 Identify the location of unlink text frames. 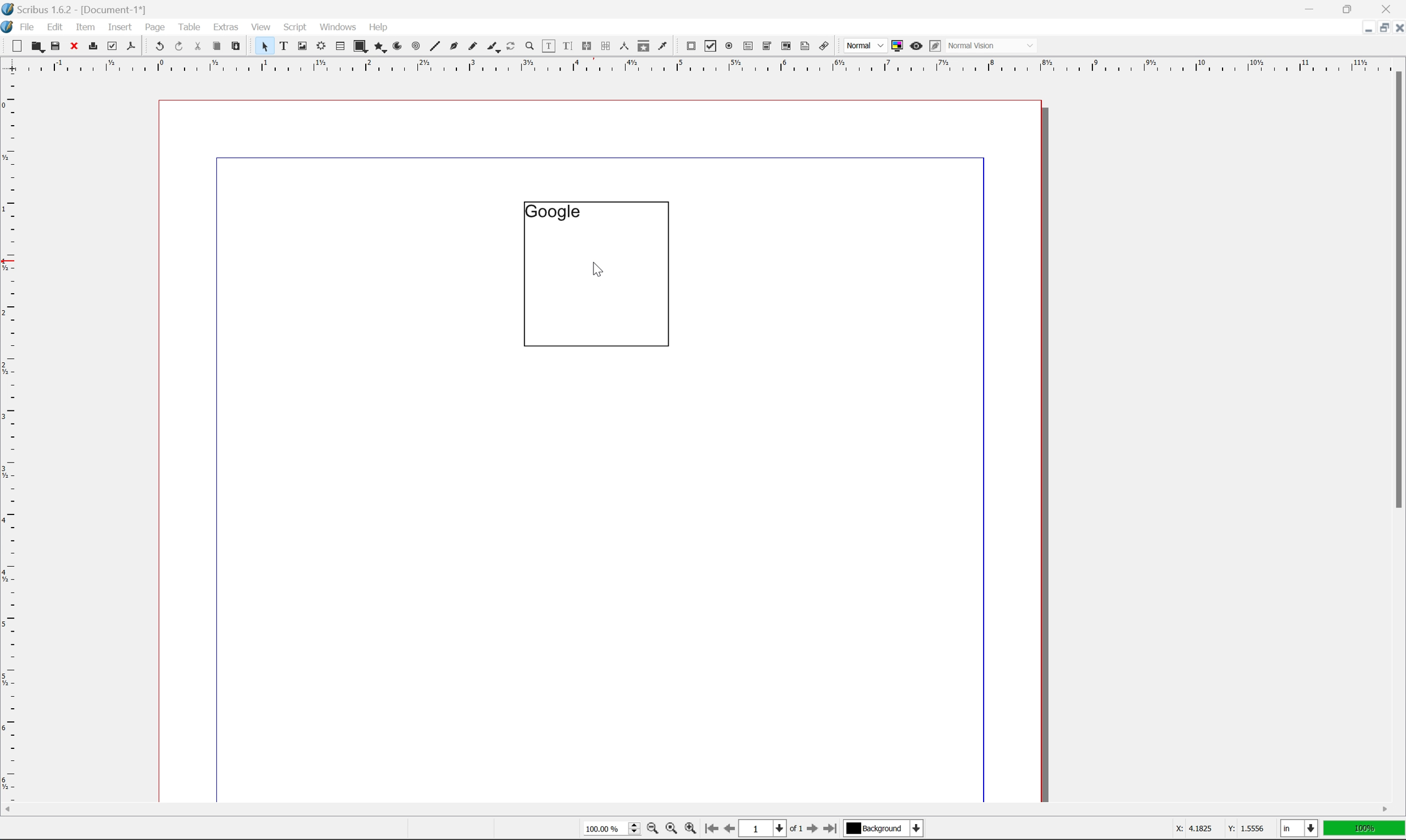
(604, 46).